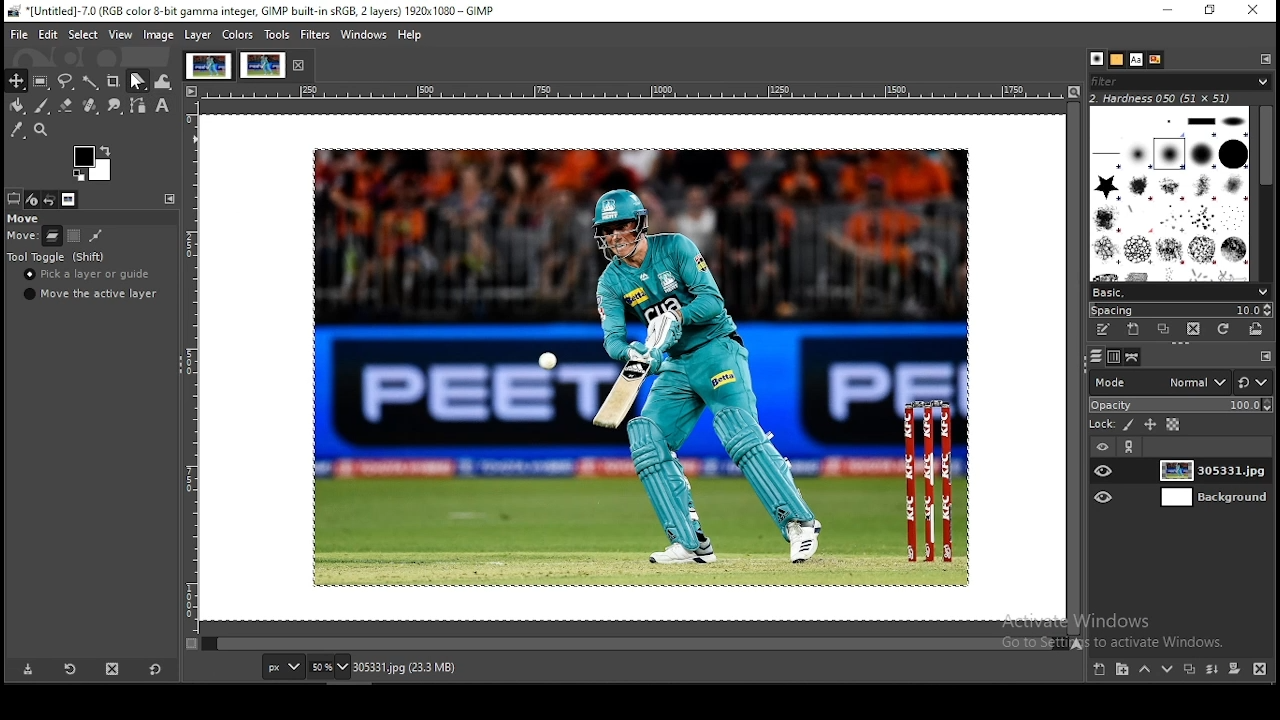 Image resolution: width=1280 pixels, height=720 pixels. I want to click on lock position and size, so click(1153, 426).